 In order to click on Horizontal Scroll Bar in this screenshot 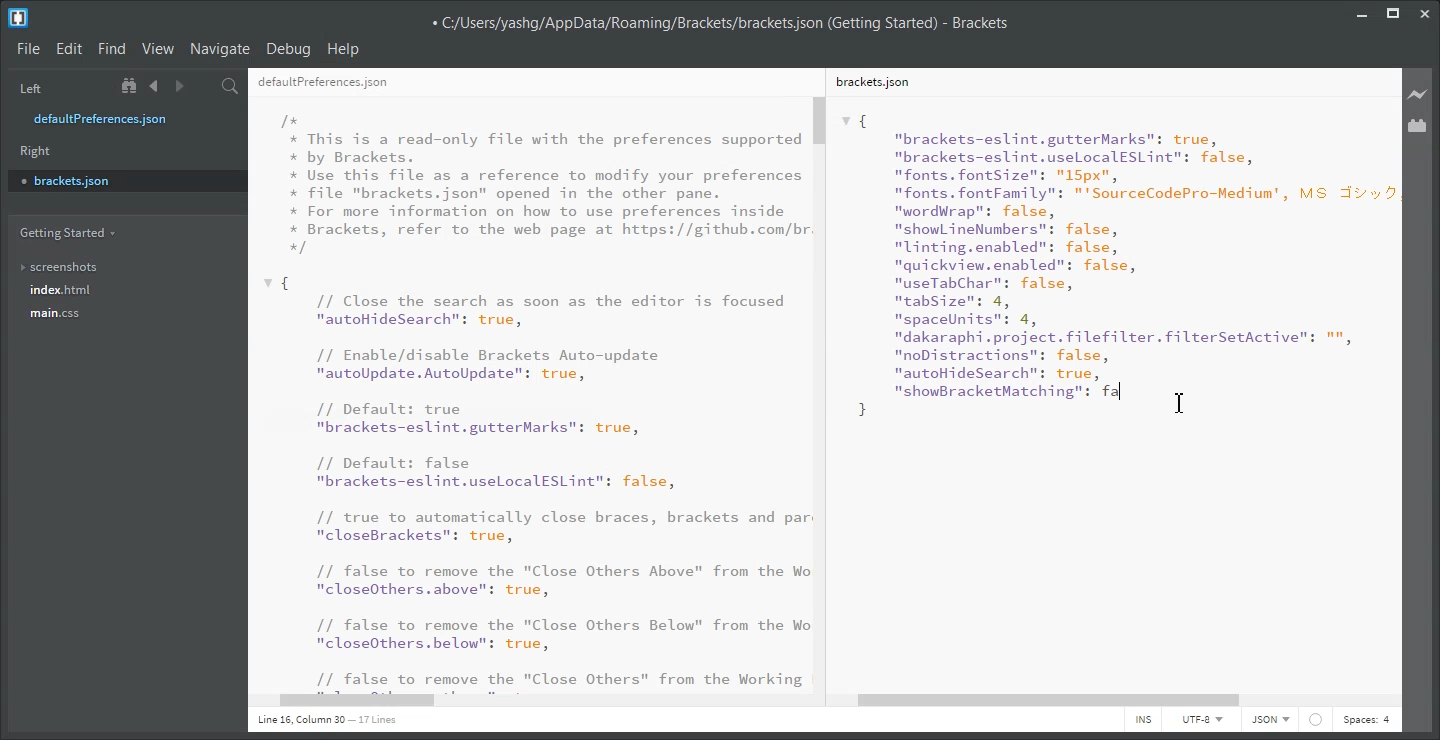, I will do `click(539, 702)`.